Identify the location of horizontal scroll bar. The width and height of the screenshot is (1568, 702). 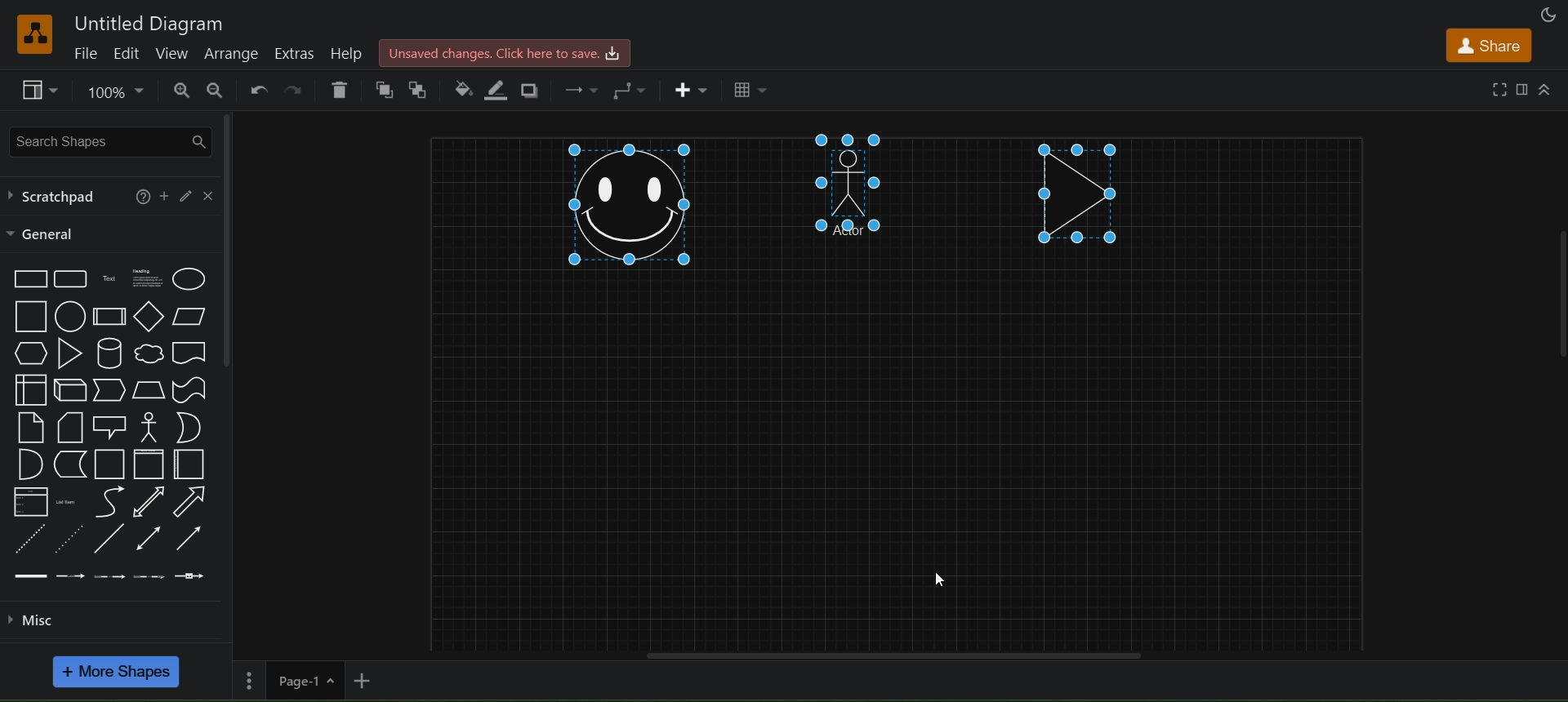
(901, 654).